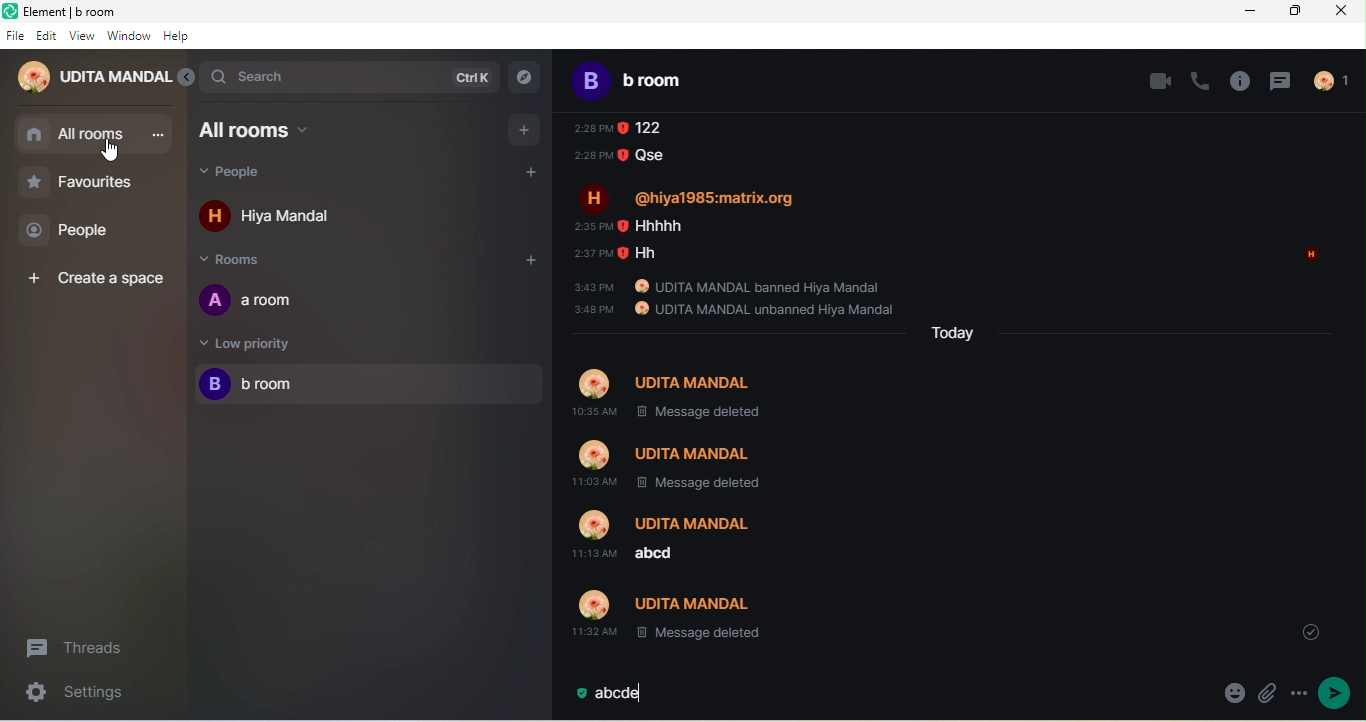  What do you see at coordinates (245, 258) in the screenshot?
I see `rooms` at bounding box center [245, 258].